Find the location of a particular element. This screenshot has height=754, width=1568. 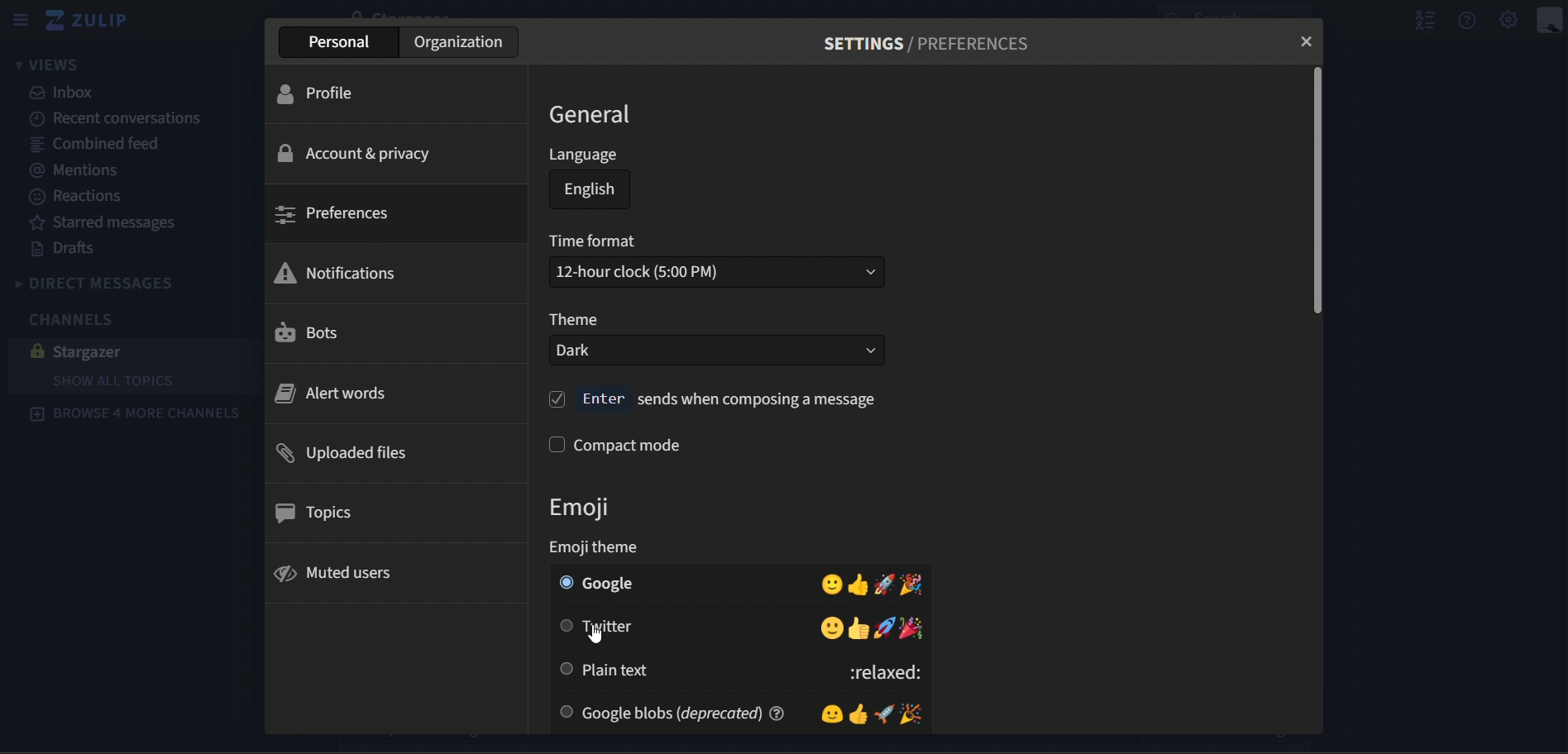

scrollbar is located at coordinates (1316, 193).